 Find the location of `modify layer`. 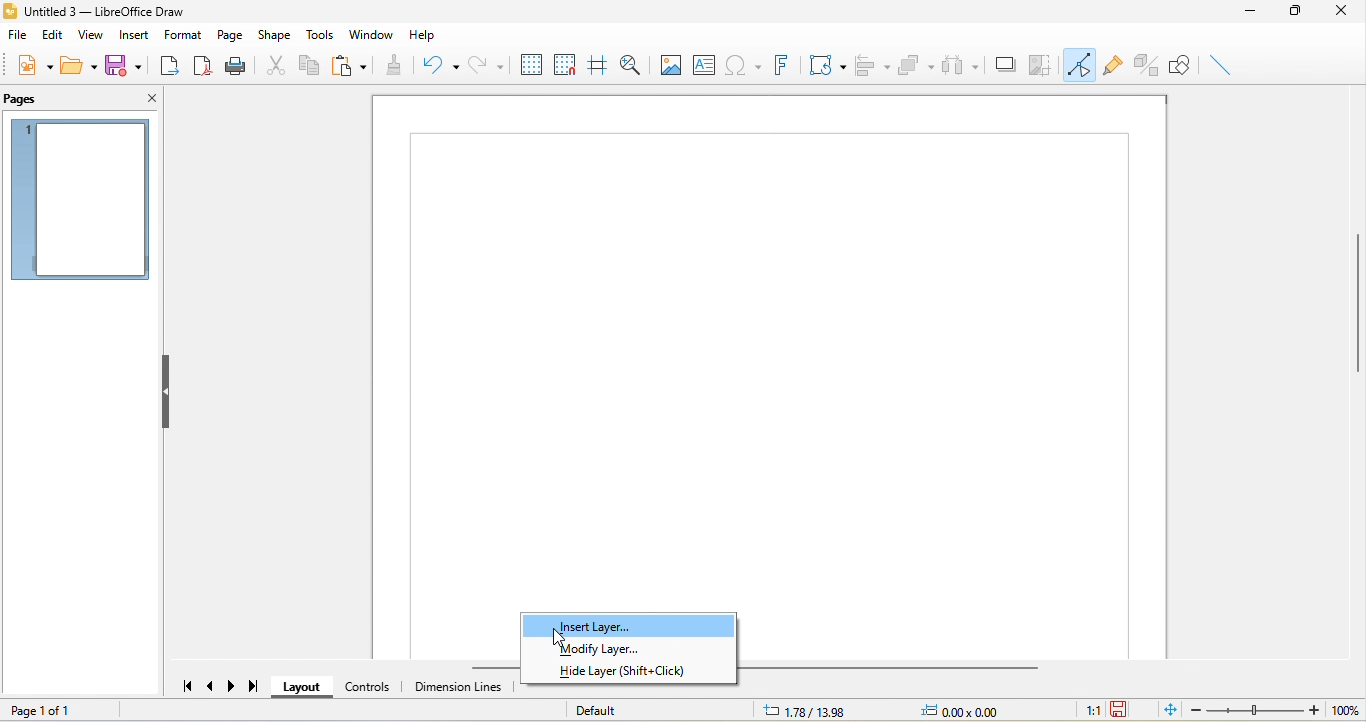

modify layer is located at coordinates (618, 649).